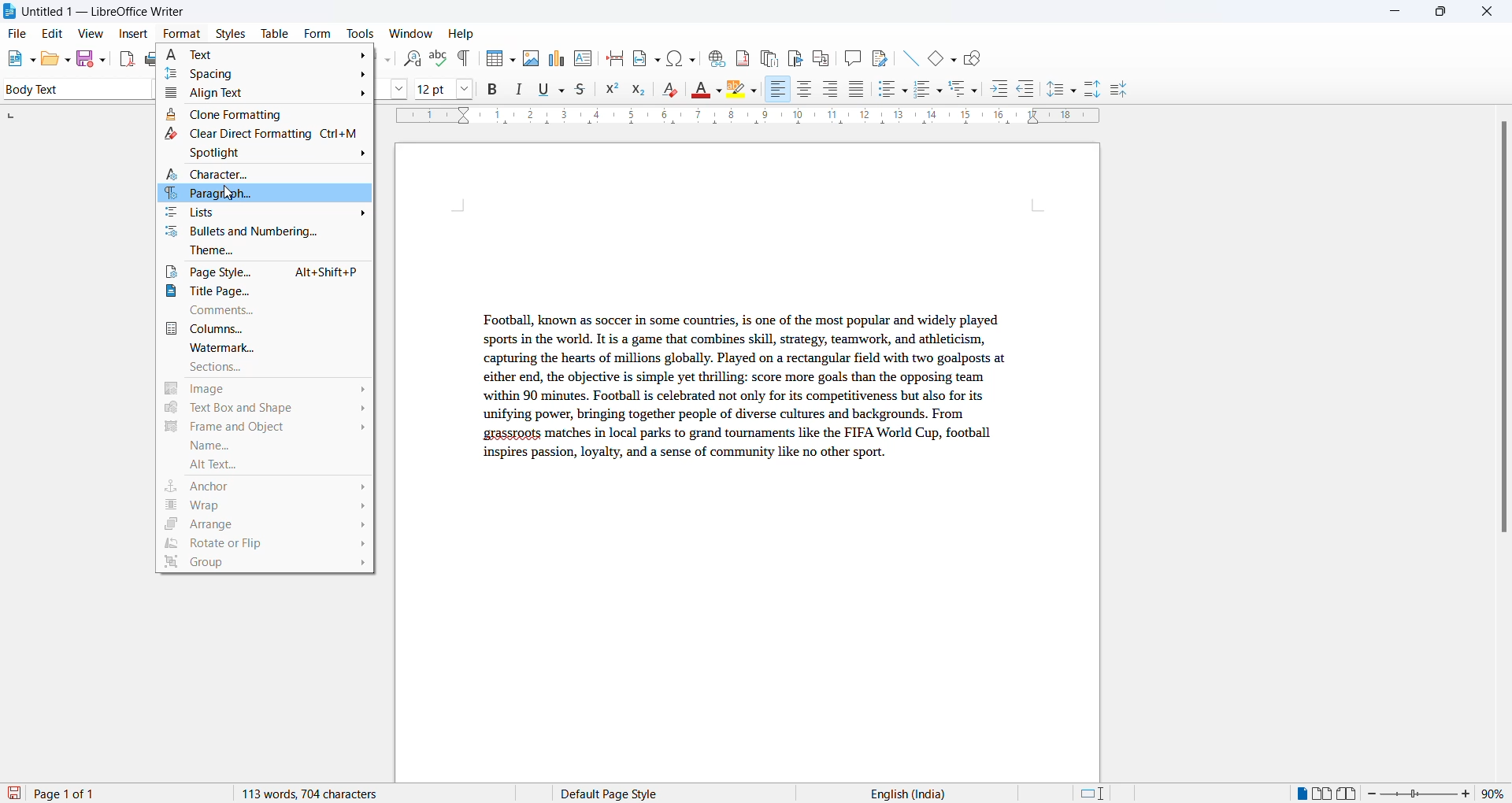  What do you see at coordinates (584, 57) in the screenshot?
I see `insert text` at bounding box center [584, 57].